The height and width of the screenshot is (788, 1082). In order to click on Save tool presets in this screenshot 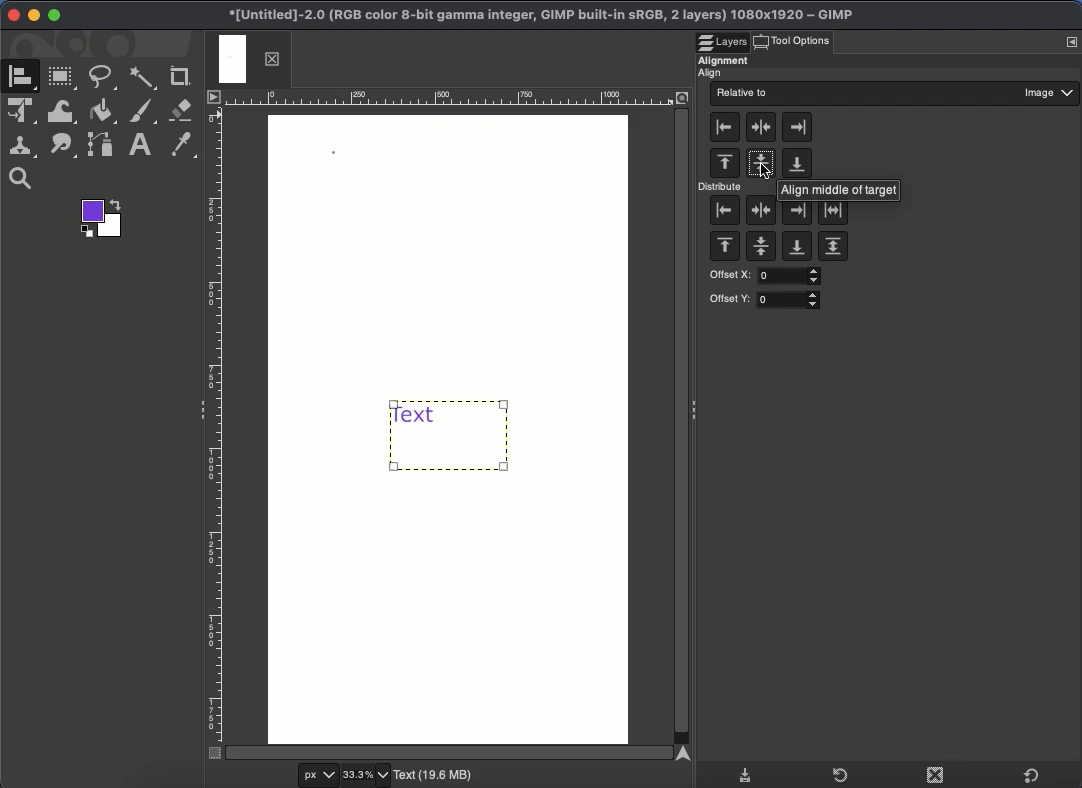, I will do `click(747, 773)`.